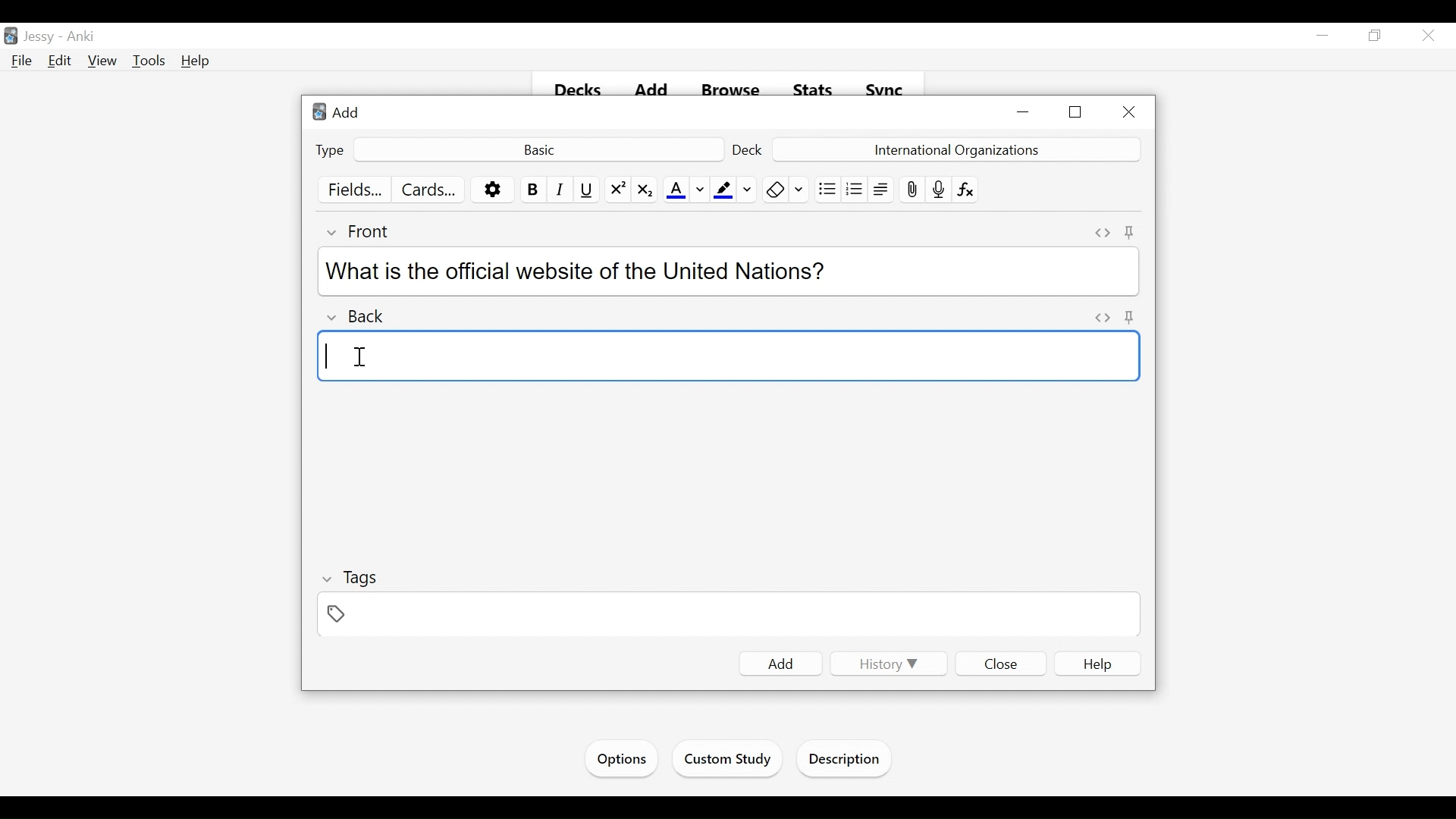  I want to click on Toggle sticky, so click(1132, 232).